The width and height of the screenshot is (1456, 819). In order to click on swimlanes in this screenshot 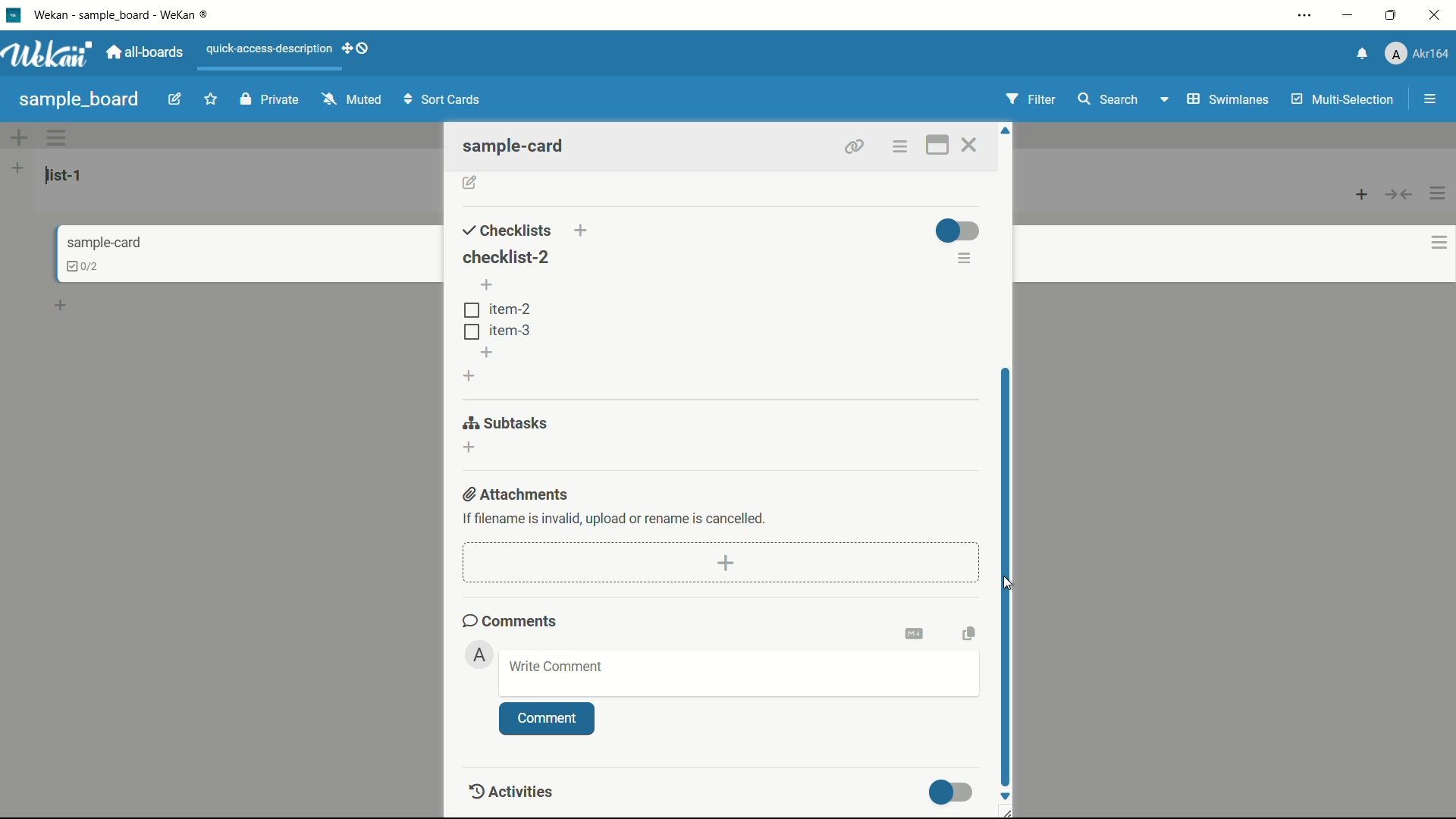, I will do `click(1227, 99)`.